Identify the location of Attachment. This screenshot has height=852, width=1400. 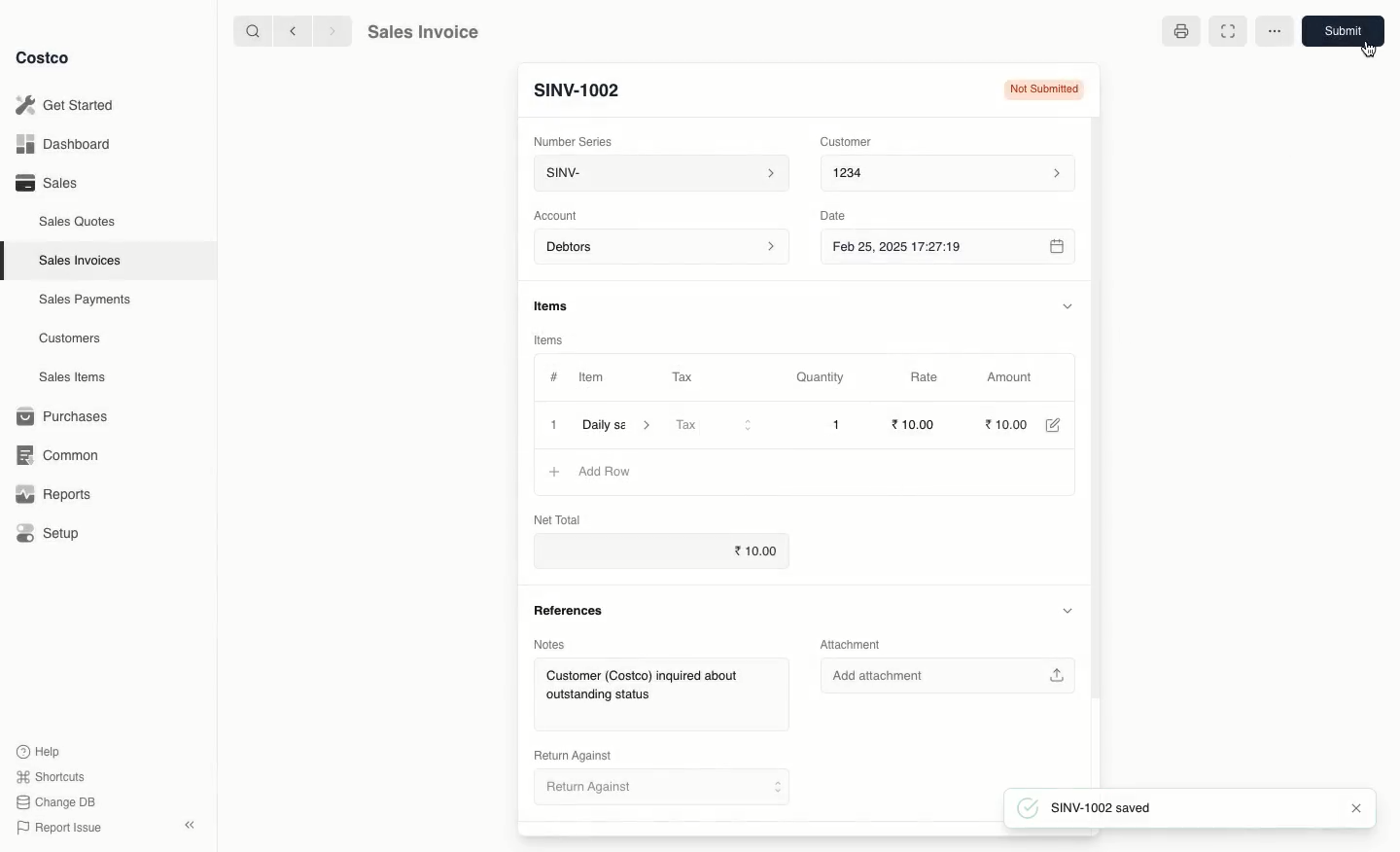
(855, 644).